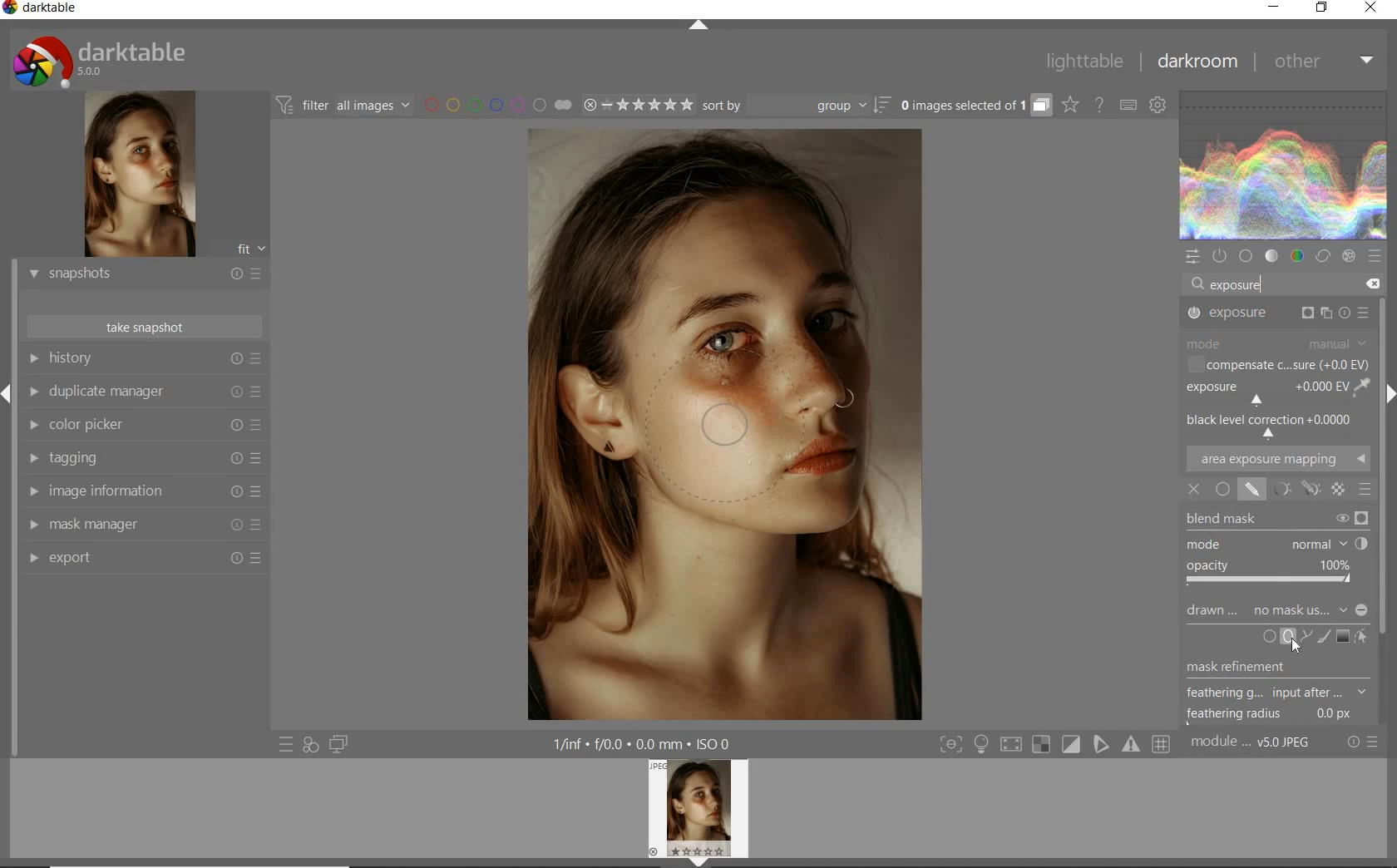  Describe the element at coordinates (1219, 257) in the screenshot. I see `show only active modules` at that location.